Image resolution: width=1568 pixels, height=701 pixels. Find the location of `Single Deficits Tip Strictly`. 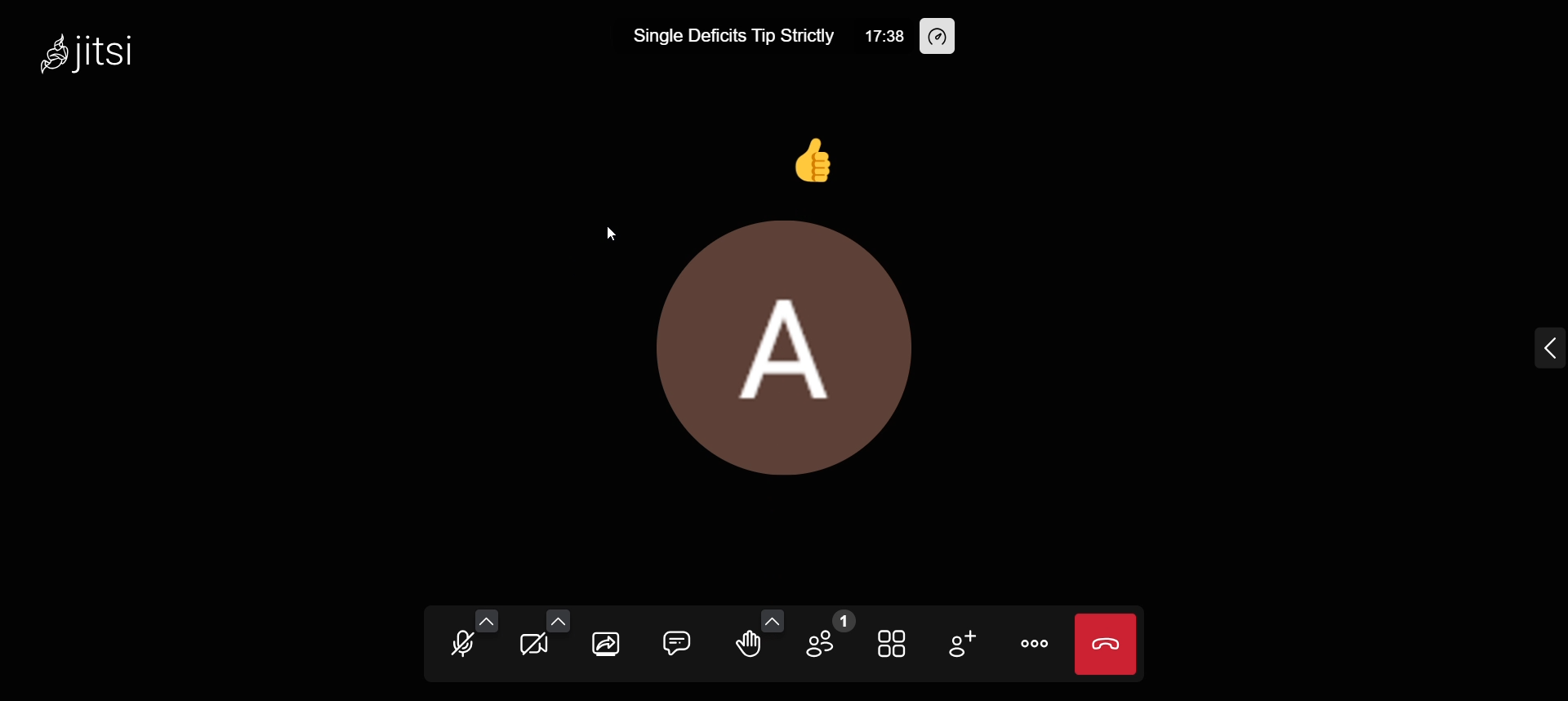

Single Deficits Tip Strictly is located at coordinates (733, 34).